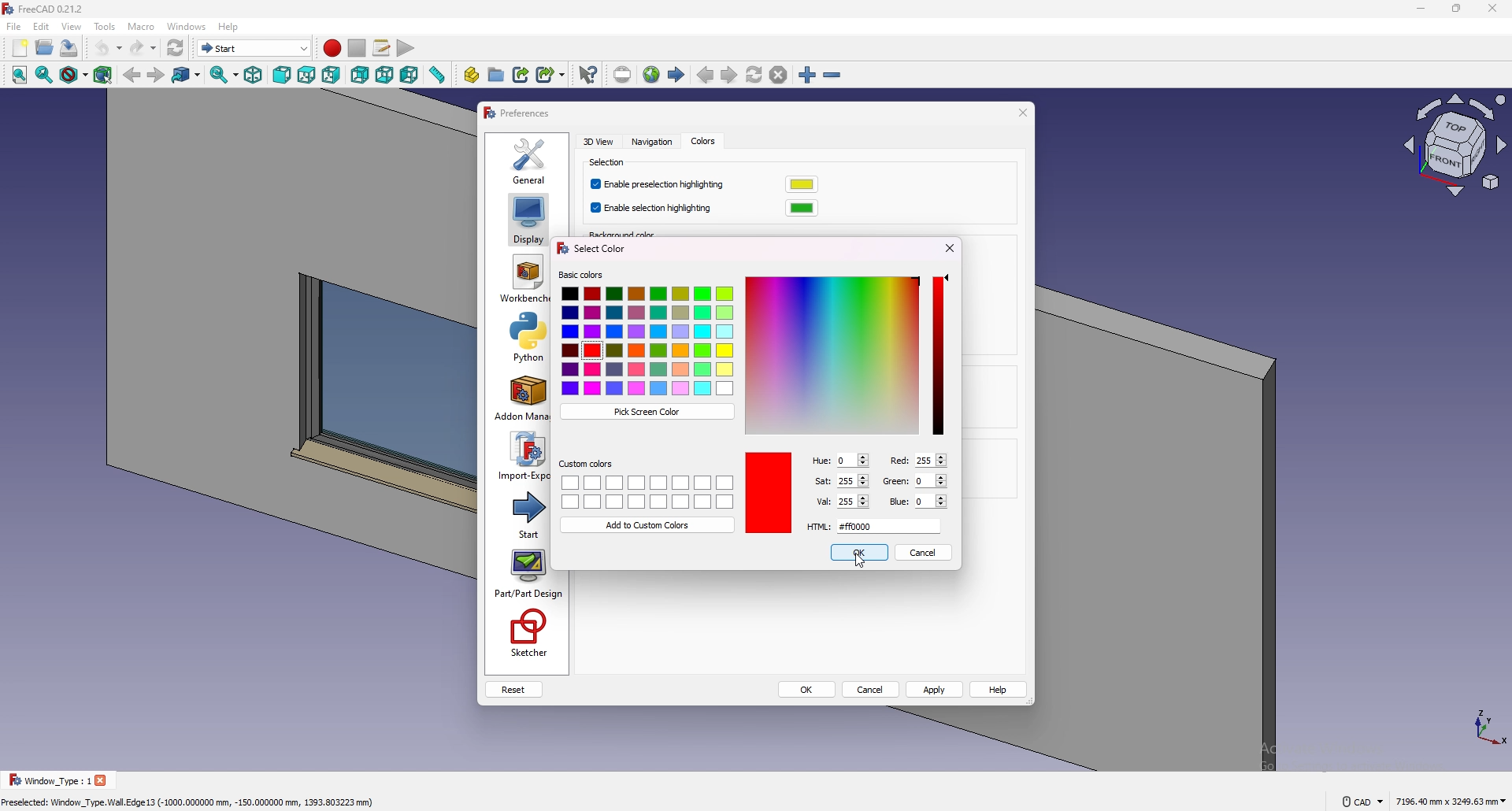 The image size is (1512, 811). What do you see at coordinates (410, 75) in the screenshot?
I see `left` at bounding box center [410, 75].